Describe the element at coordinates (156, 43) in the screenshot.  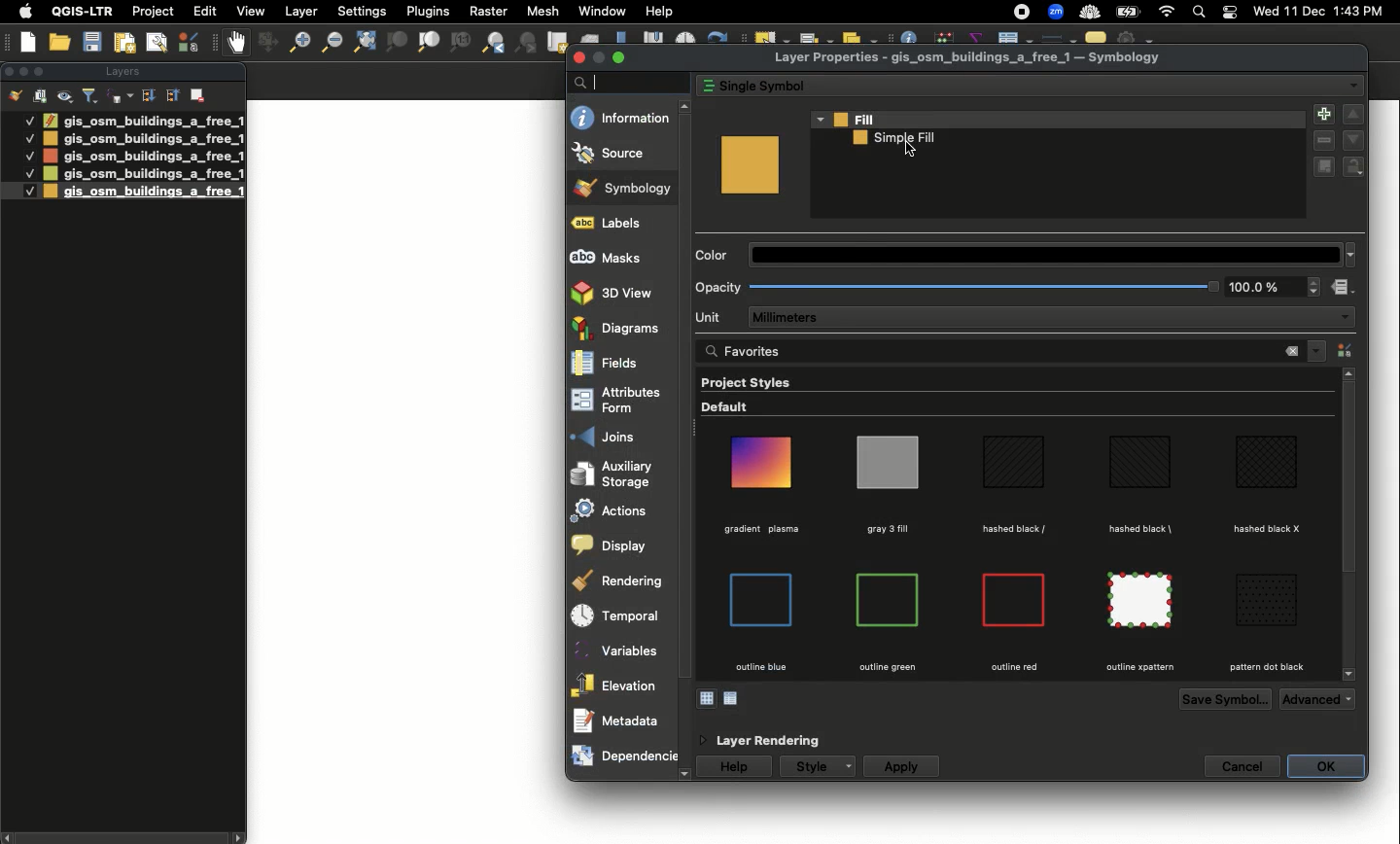
I see `Show layout manager` at that location.